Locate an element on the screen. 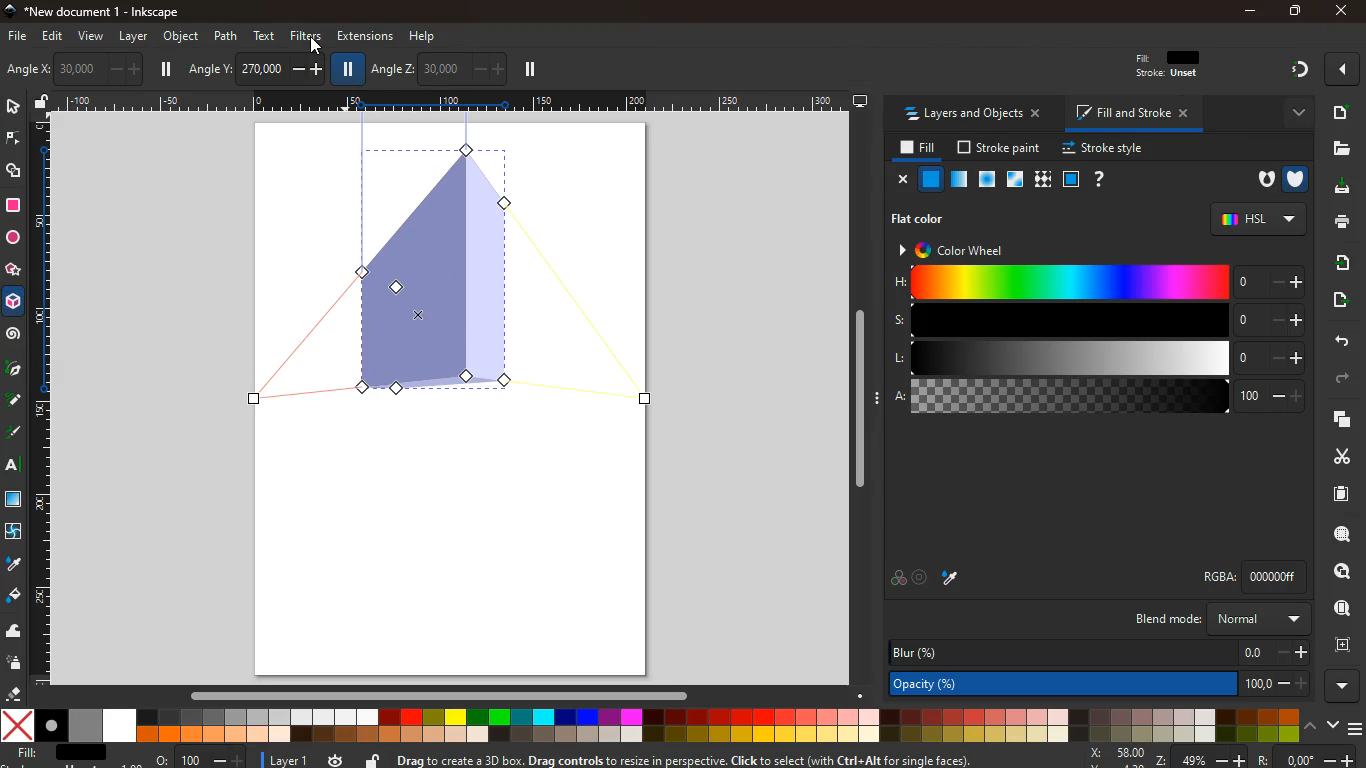  dowload is located at coordinates (1338, 187).